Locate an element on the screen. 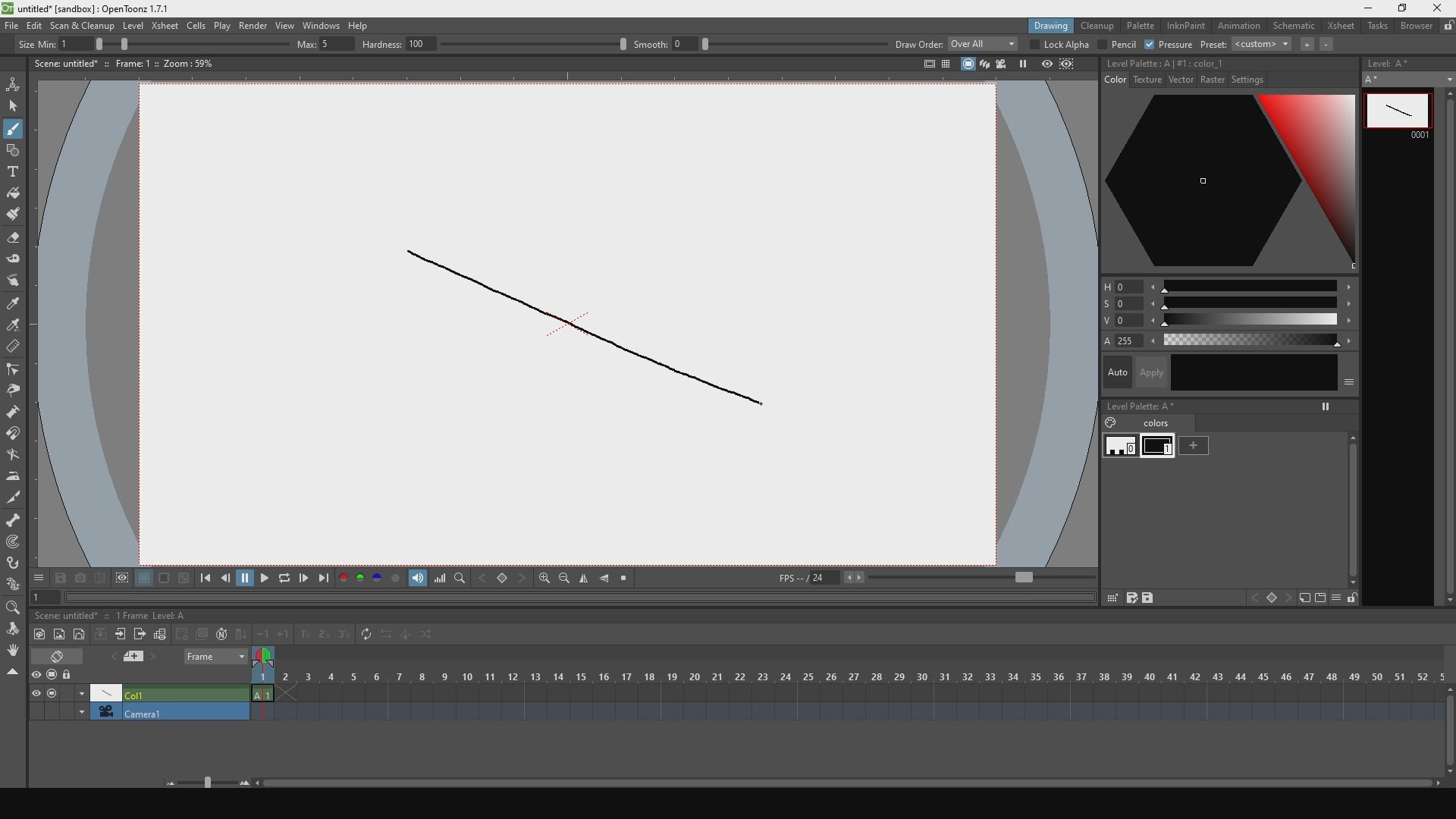  frames toolbar is located at coordinates (136, 633).